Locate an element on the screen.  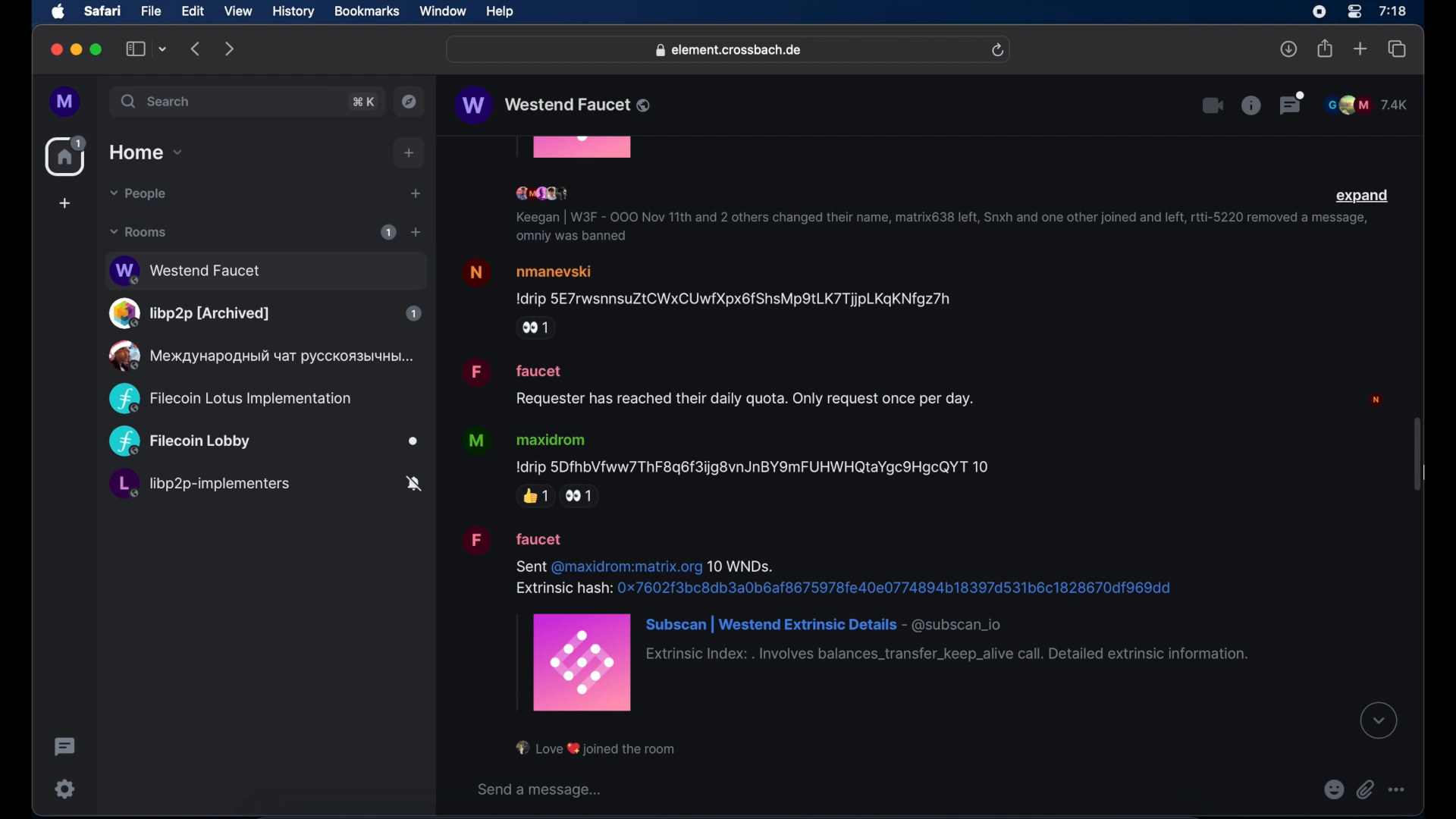
bookmarks is located at coordinates (366, 11).